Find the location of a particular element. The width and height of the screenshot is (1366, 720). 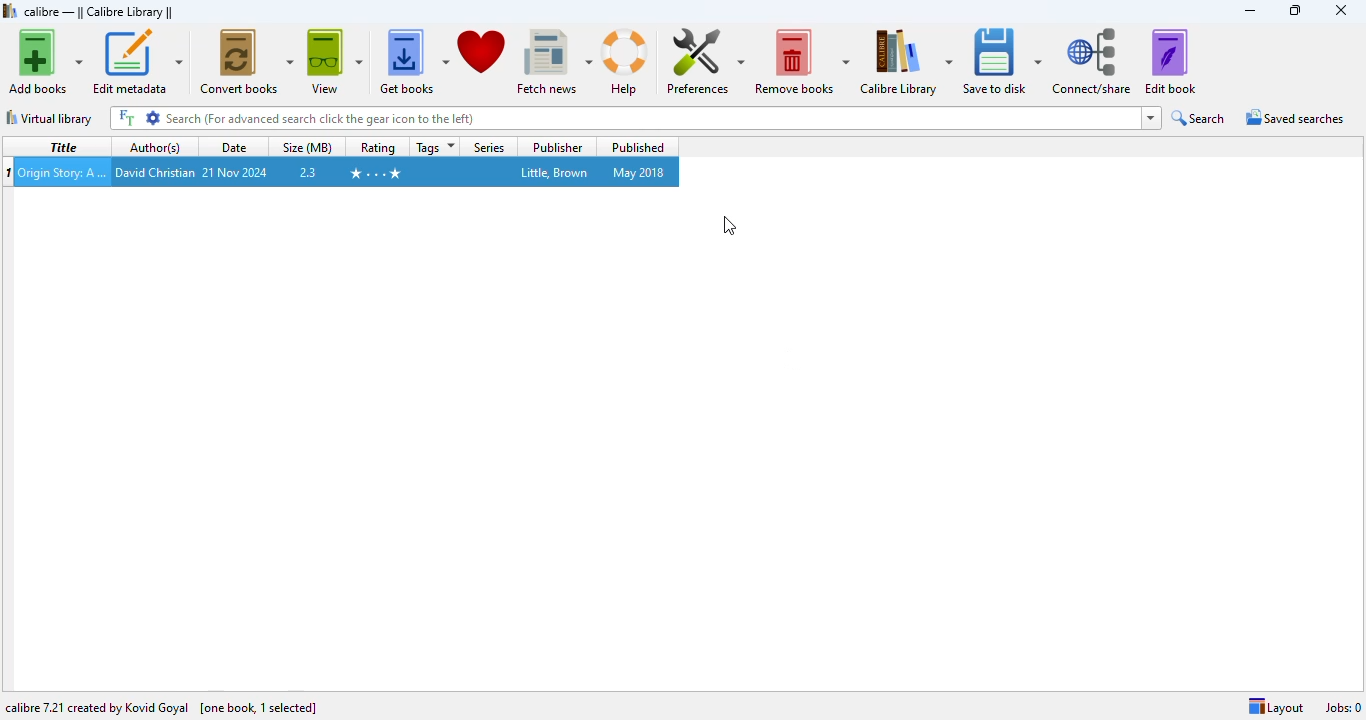

logo is located at coordinates (10, 11).